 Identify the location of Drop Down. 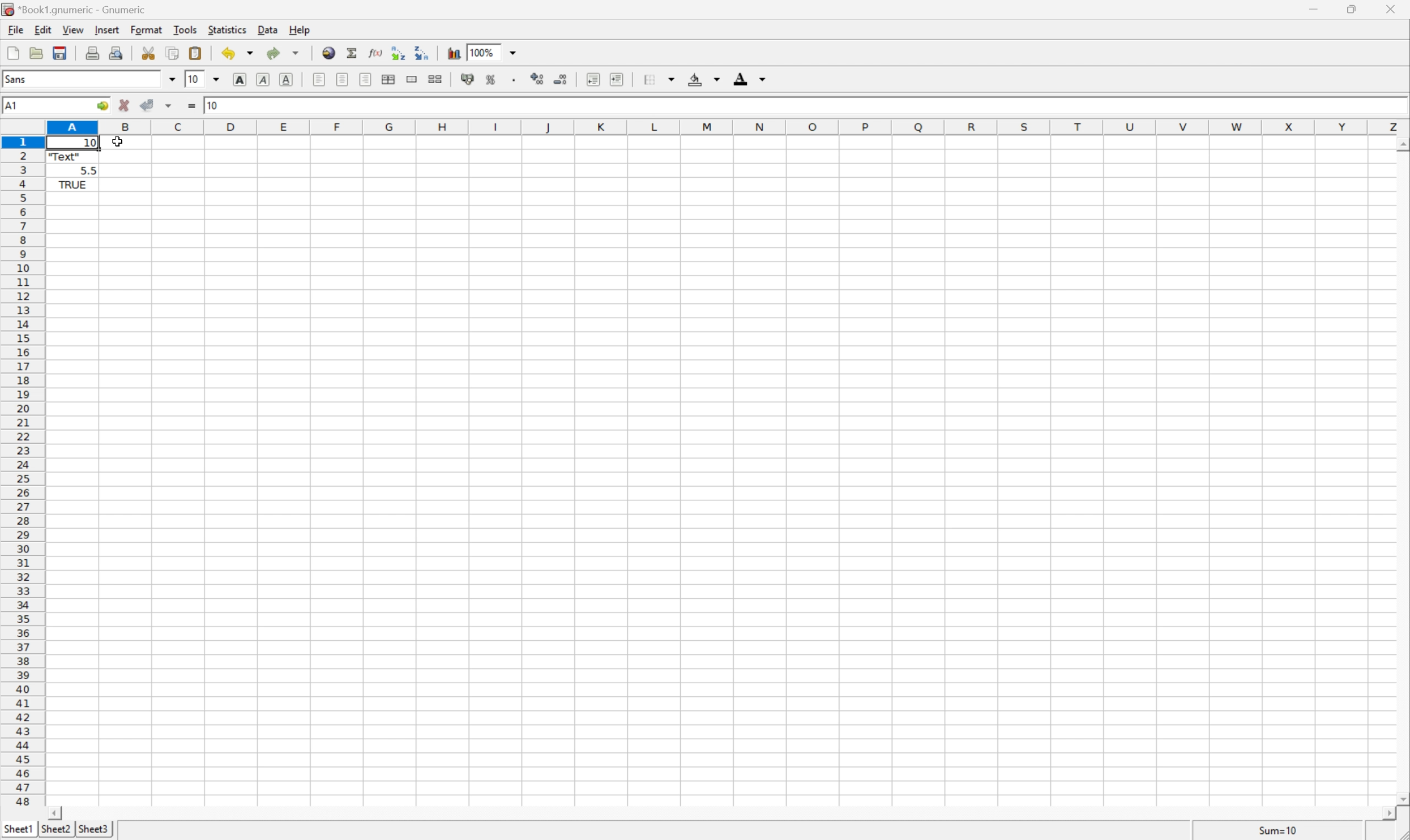
(169, 79).